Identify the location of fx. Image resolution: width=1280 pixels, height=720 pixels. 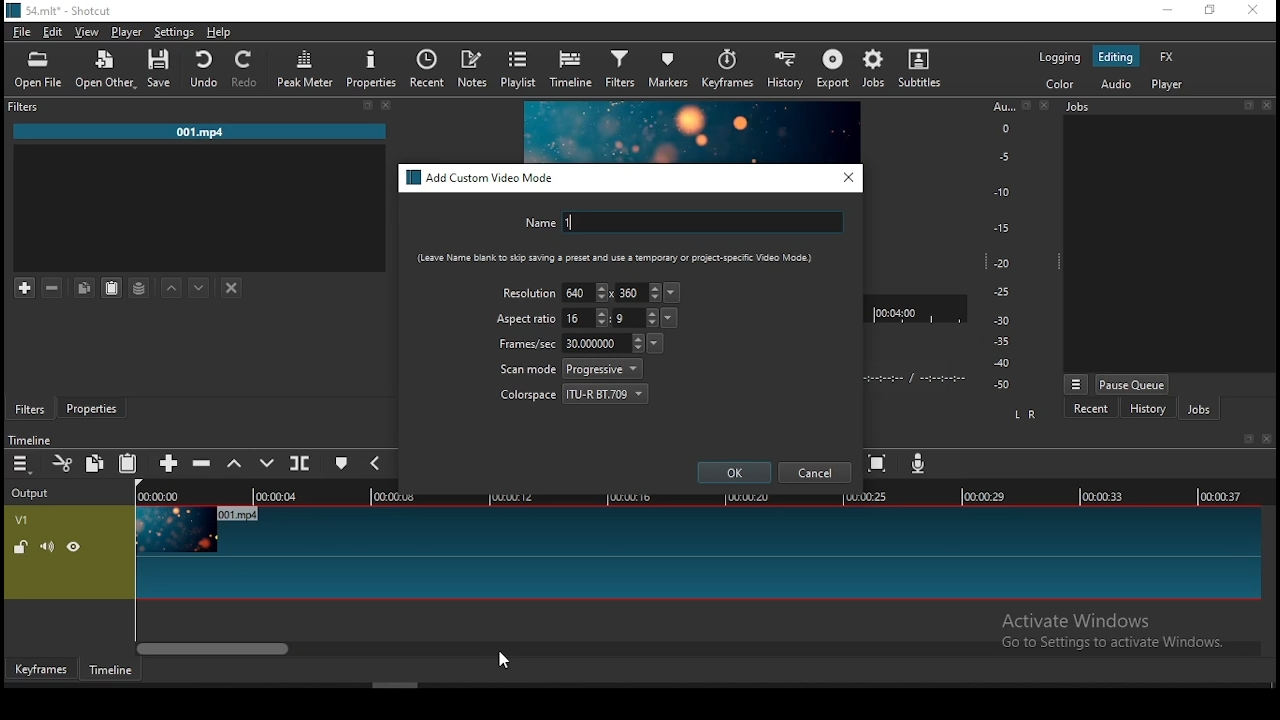
(1169, 58).